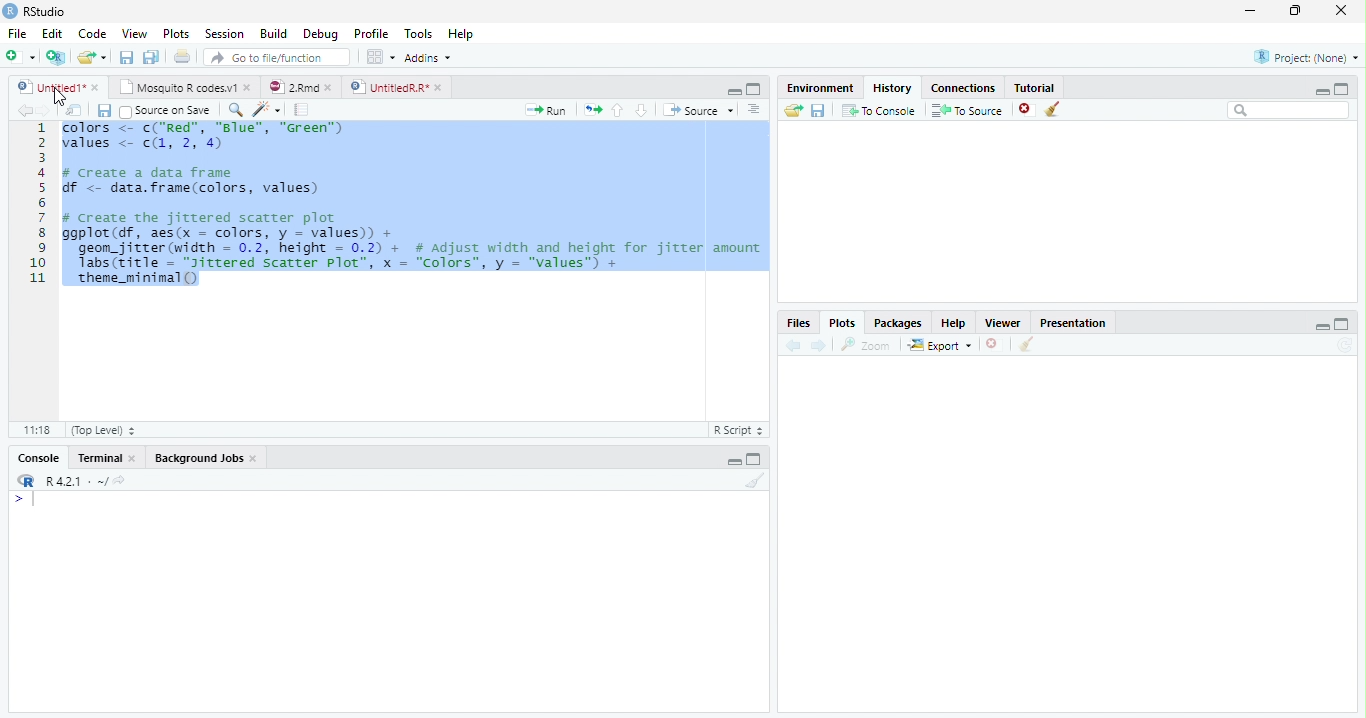 The height and width of the screenshot is (718, 1366). Describe the element at coordinates (428, 58) in the screenshot. I see `Addins` at that location.